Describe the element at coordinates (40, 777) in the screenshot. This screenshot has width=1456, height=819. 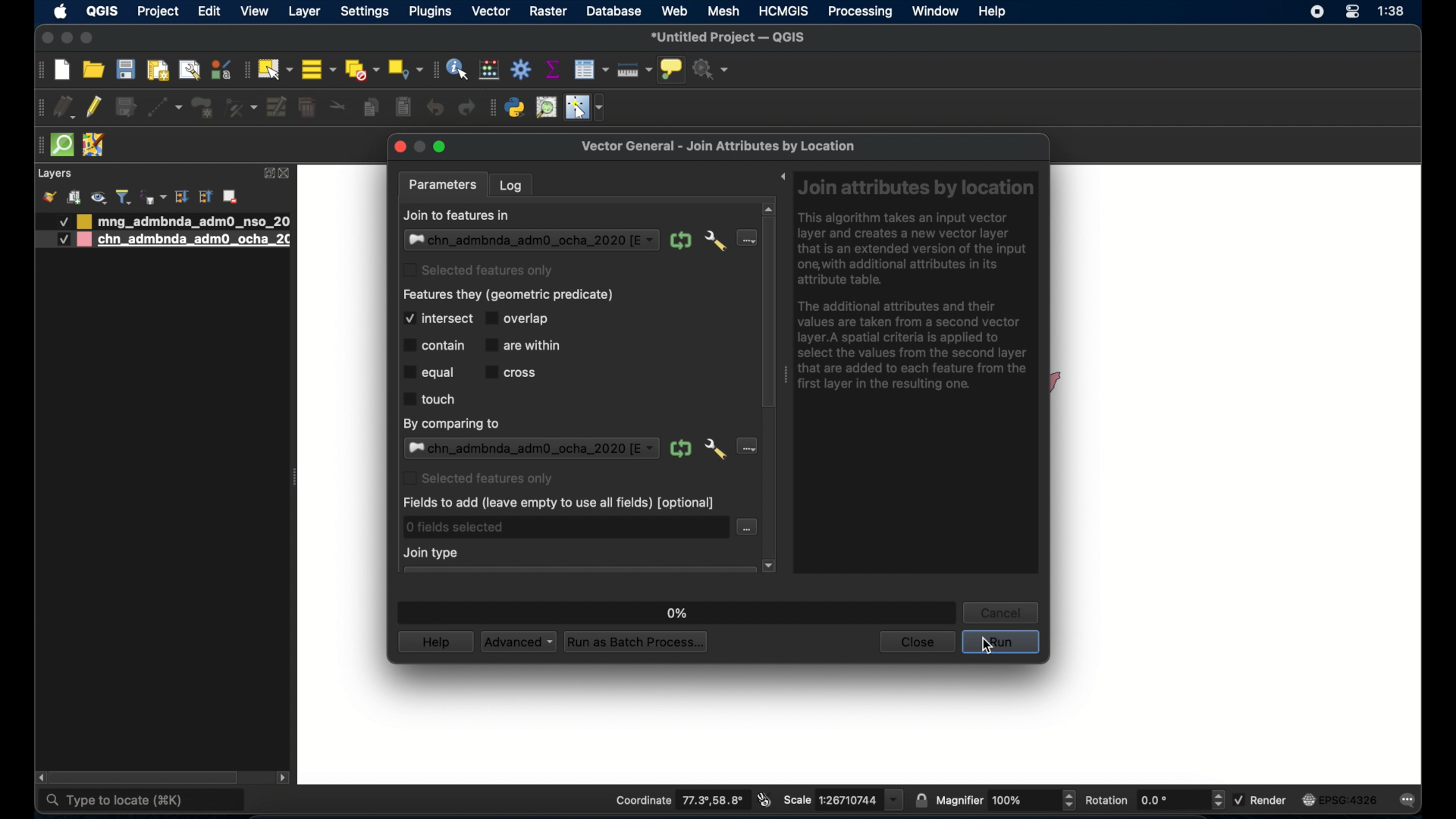
I see `scroll left arrow` at that location.